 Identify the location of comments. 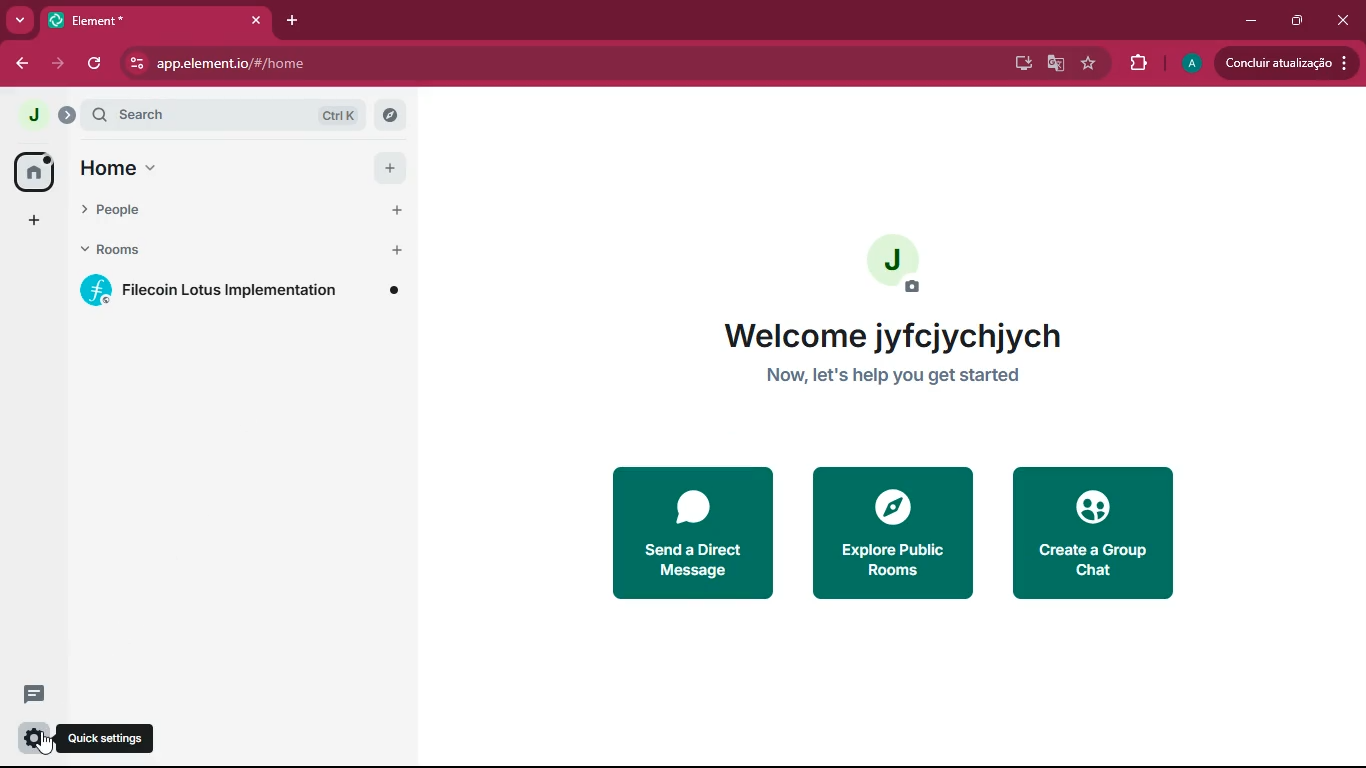
(34, 693).